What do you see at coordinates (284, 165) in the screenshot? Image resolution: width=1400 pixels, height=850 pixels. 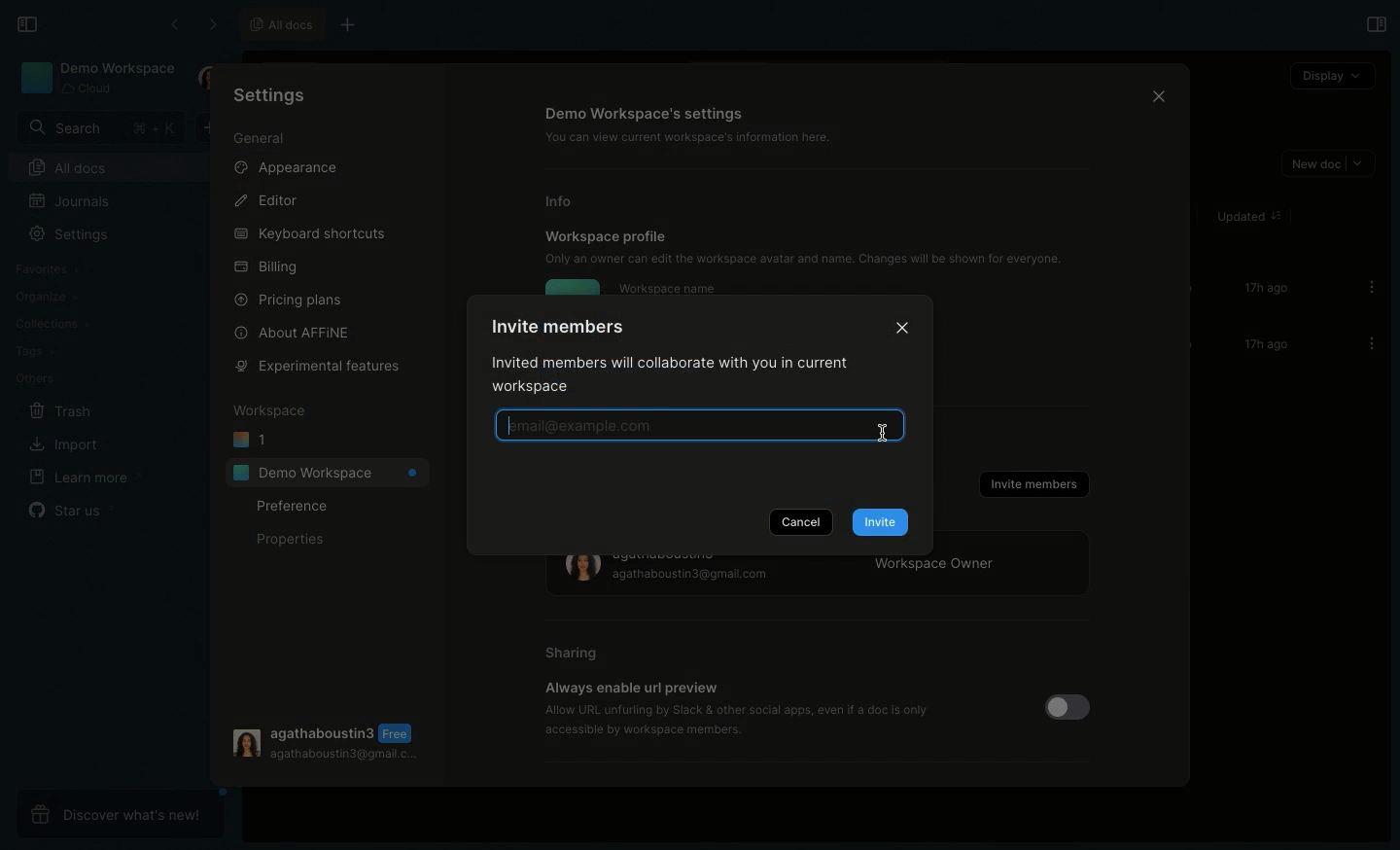 I see `Appearance` at bounding box center [284, 165].